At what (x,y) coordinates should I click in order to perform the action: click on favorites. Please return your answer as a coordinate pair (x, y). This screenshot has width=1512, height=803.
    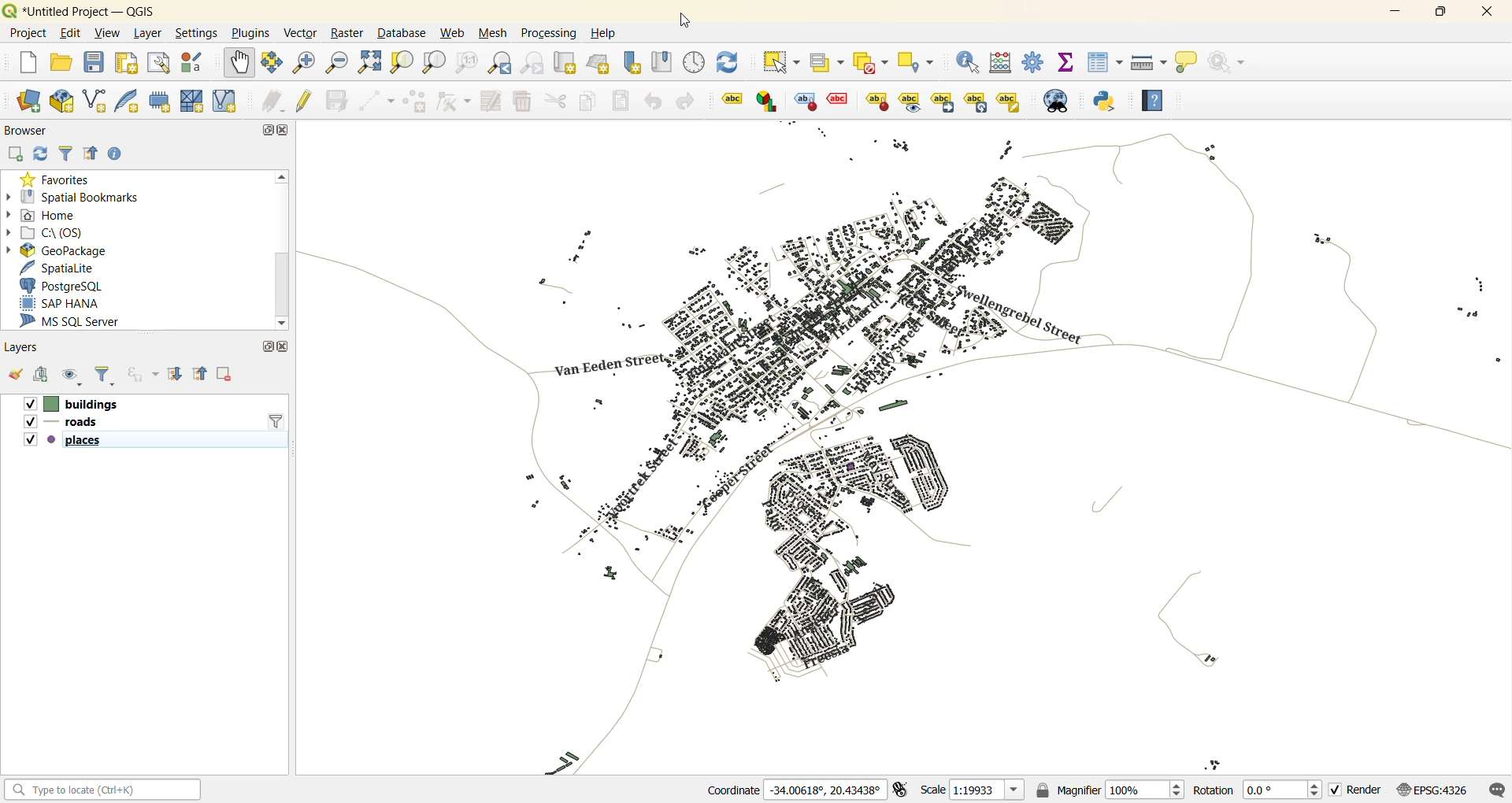
    Looking at the image, I should click on (56, 179).